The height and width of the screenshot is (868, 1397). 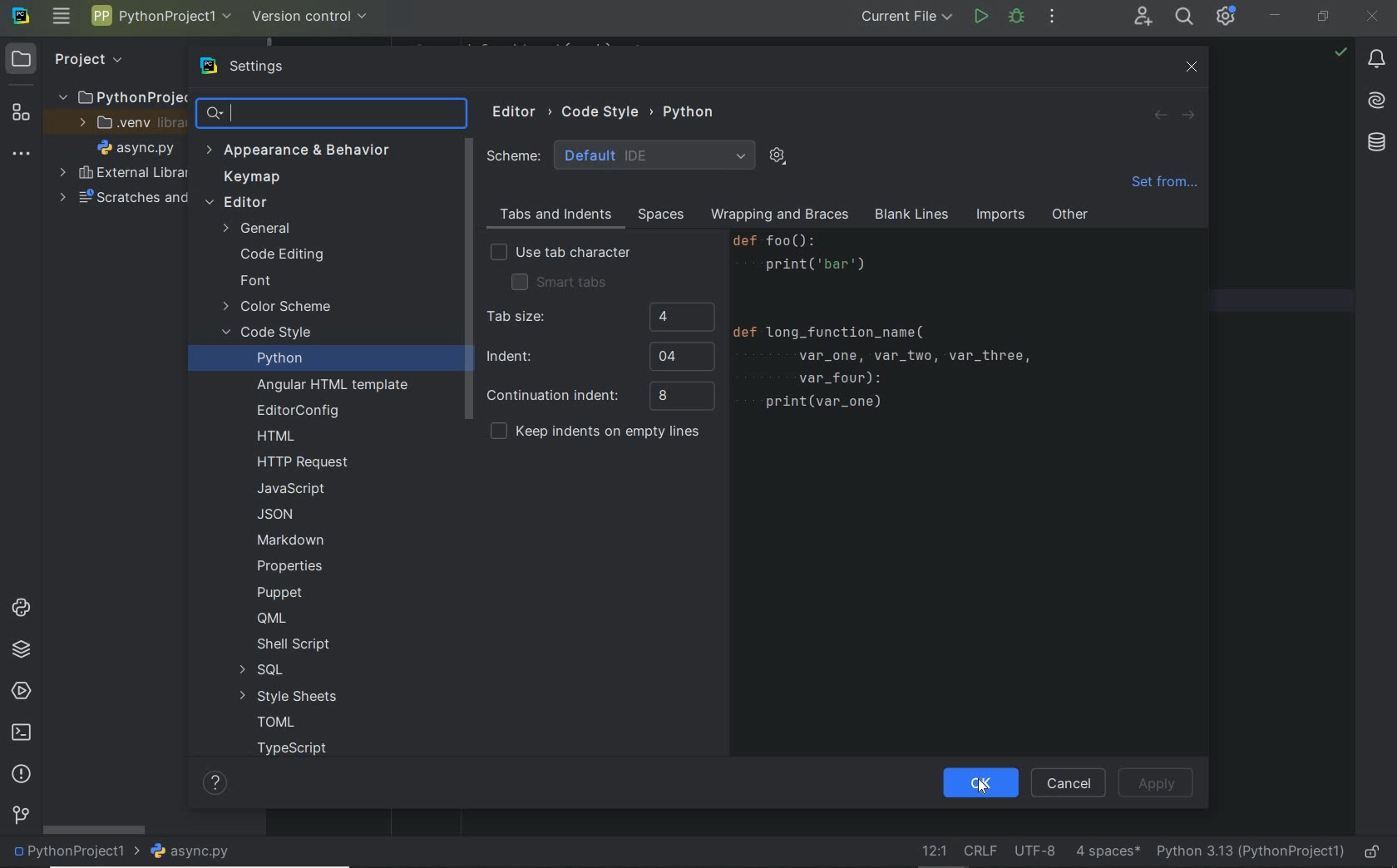 What do you see at coordinates (259, 670) in the screenshot?
I see `SQL` at bounding box center [259, 670].